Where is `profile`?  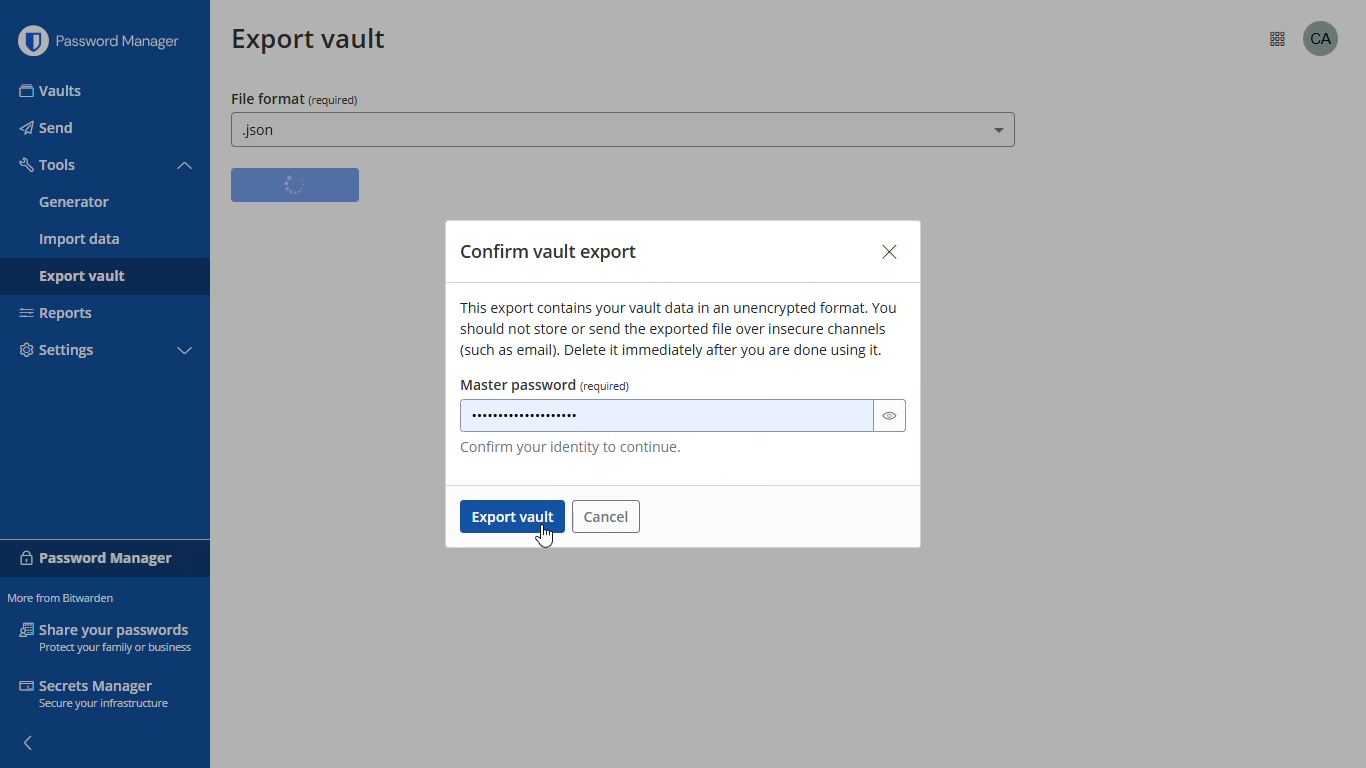 profile is located at coordinates (1322, 37).